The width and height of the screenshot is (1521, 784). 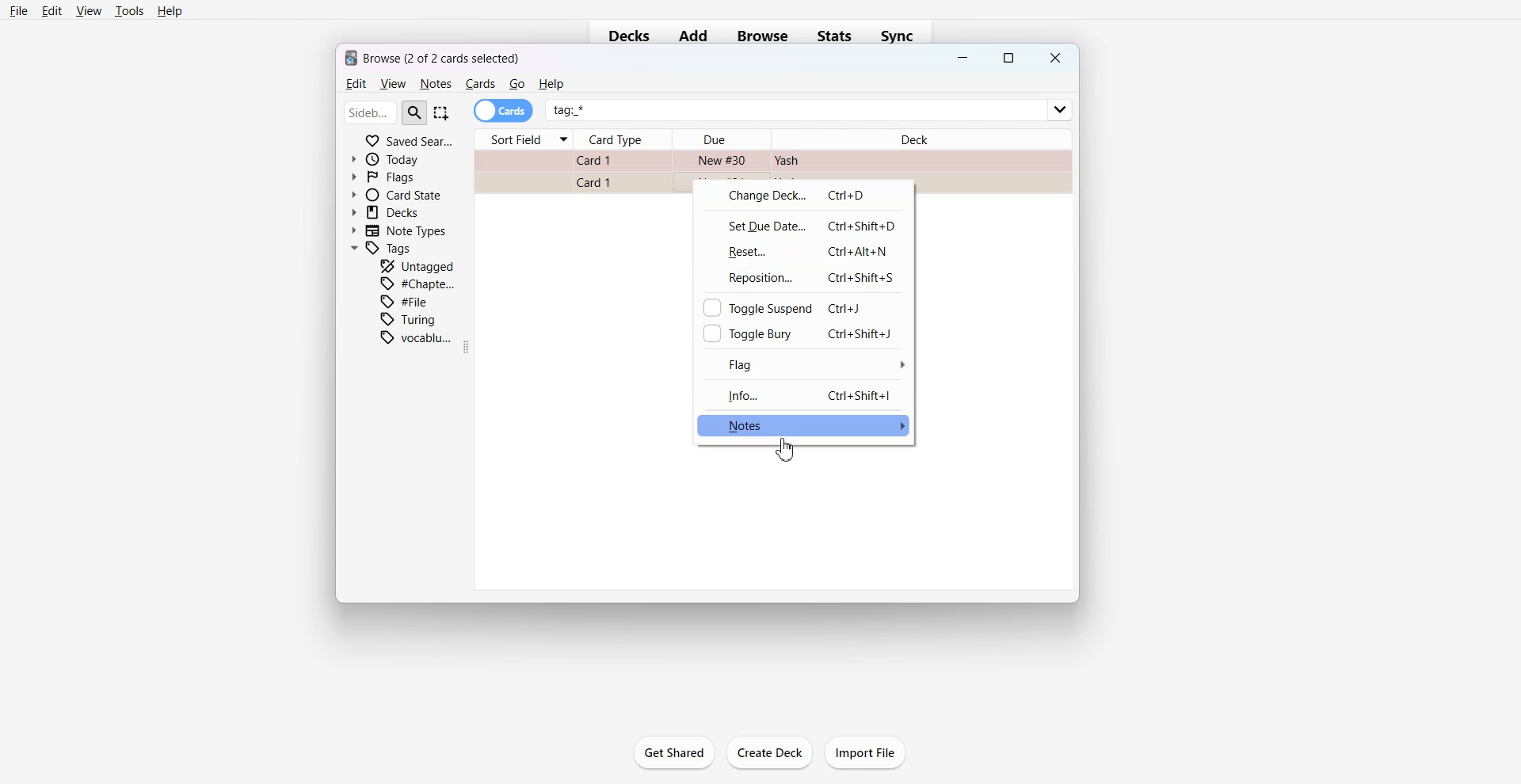 What do you see at coordinates (772, 162) in the screenshot?
I see `Card File` at bounding box center [772, 162].